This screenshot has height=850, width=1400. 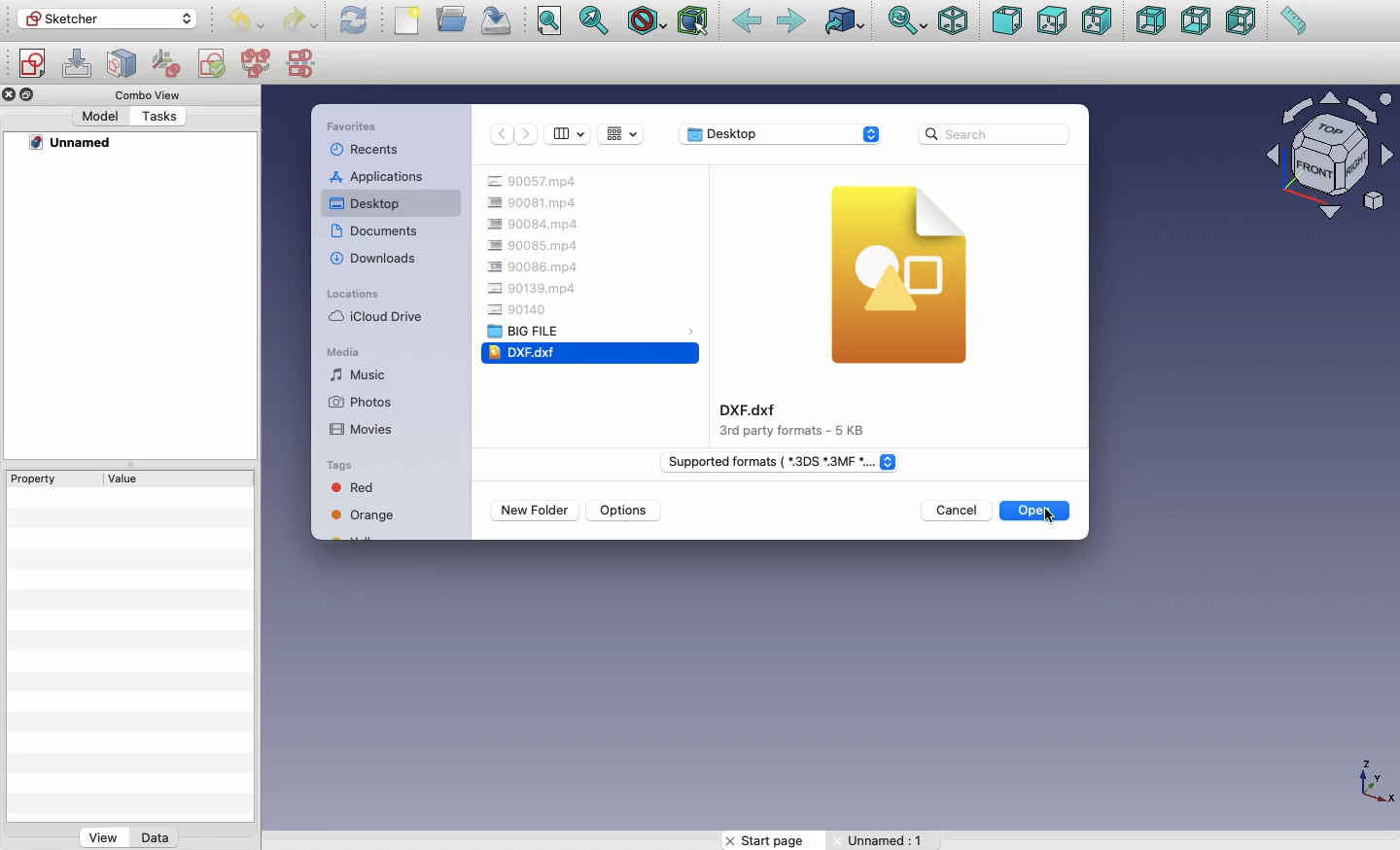 I want to click on Red, so click(x=368, y=487).